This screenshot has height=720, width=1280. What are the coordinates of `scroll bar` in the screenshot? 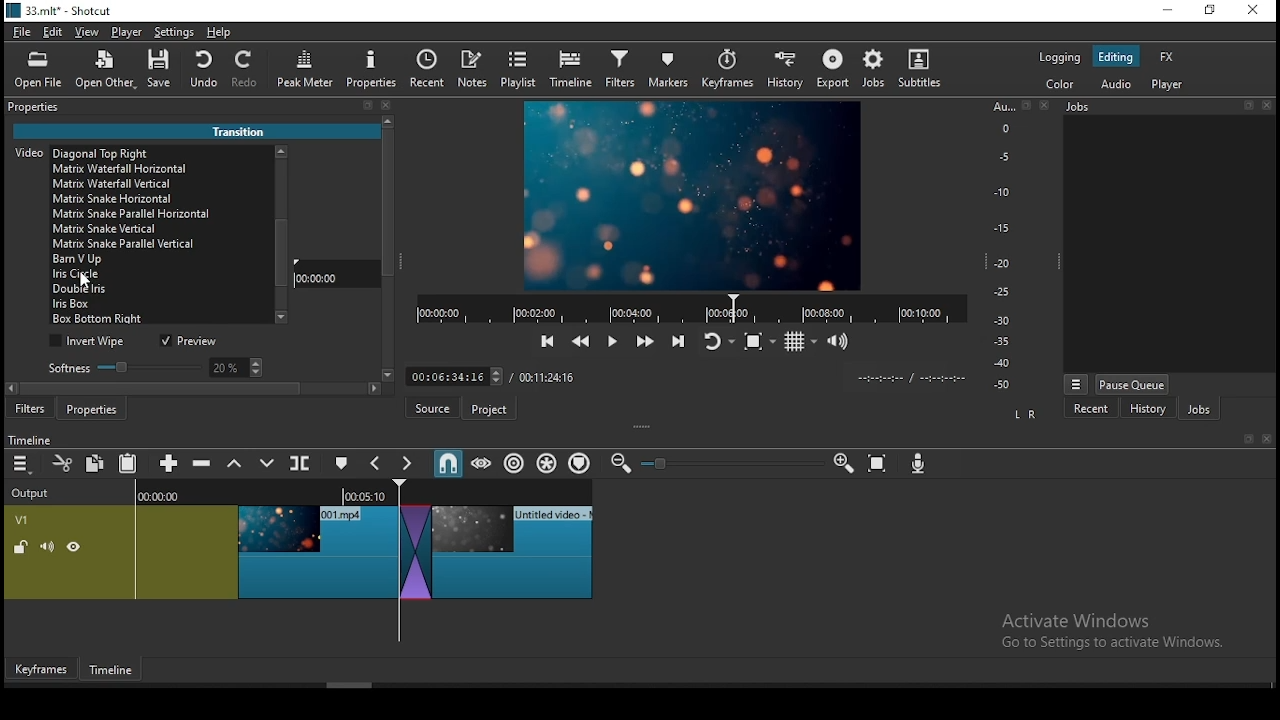 It's located at (277, 233).